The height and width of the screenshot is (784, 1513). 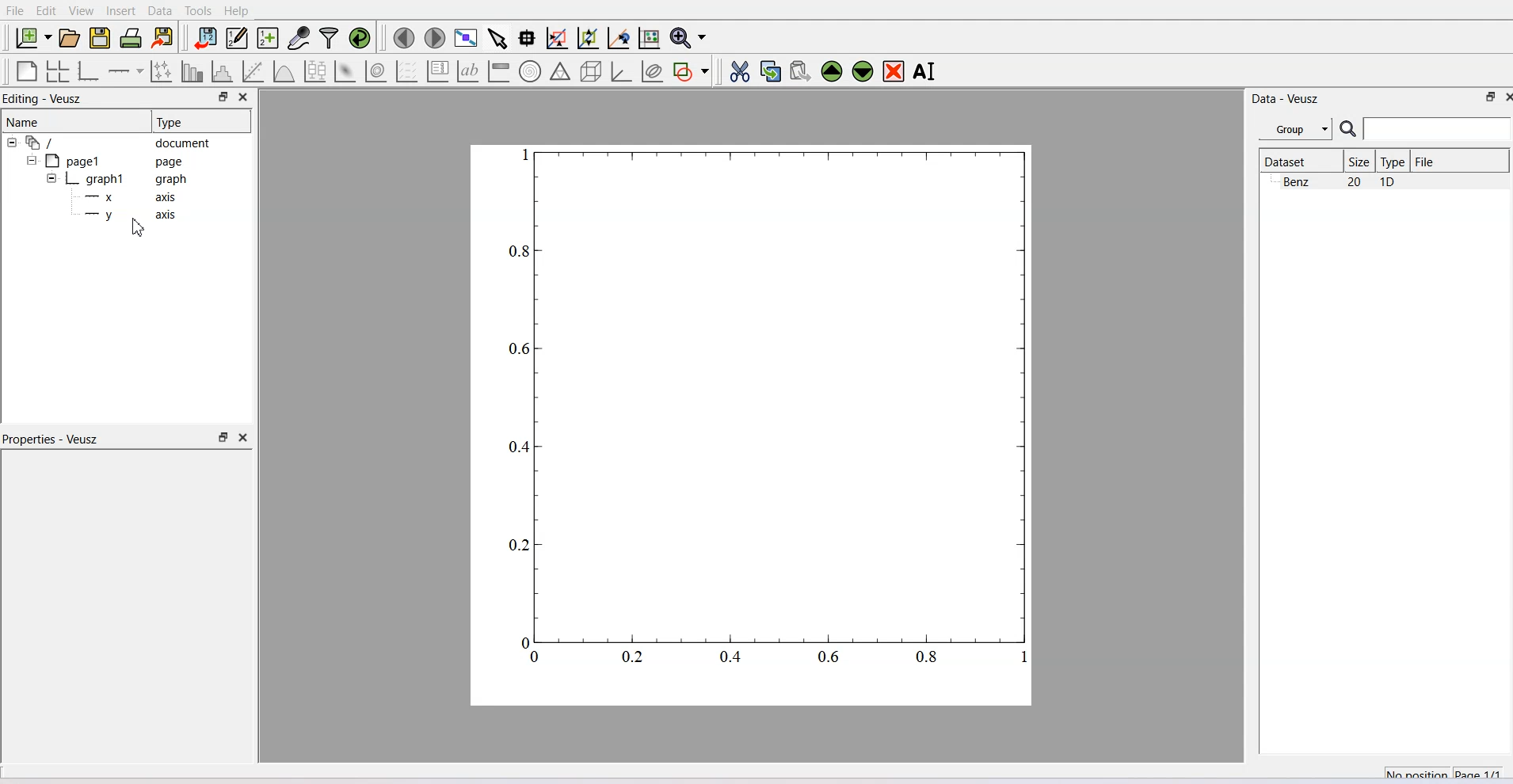 What do you see at coordinates (650, 37) in the screenshot?
I see `Reset graph axes` at bounding box center [650, 37].